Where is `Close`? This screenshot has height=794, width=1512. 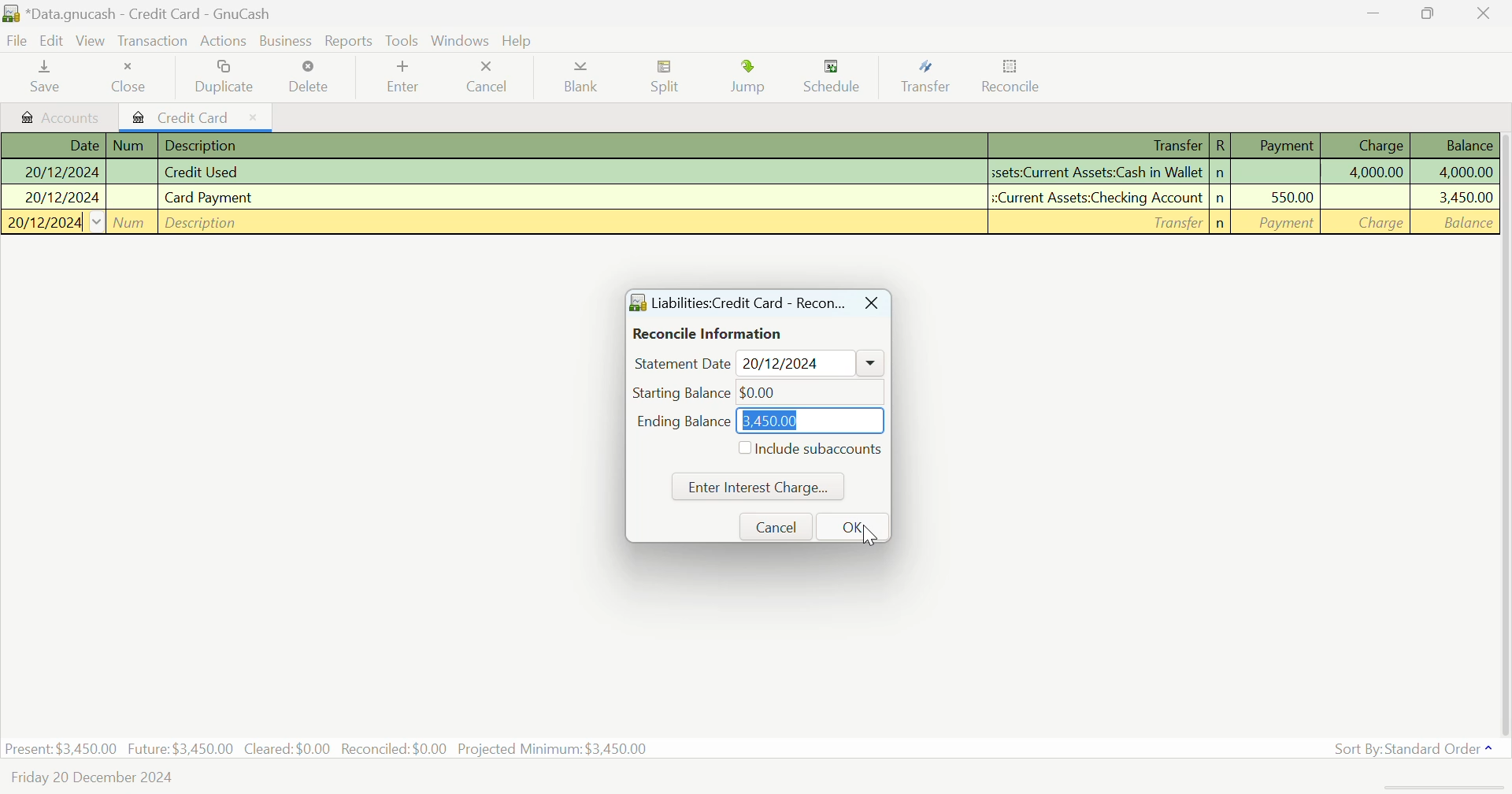 Close is located at coordinates (132, 77).